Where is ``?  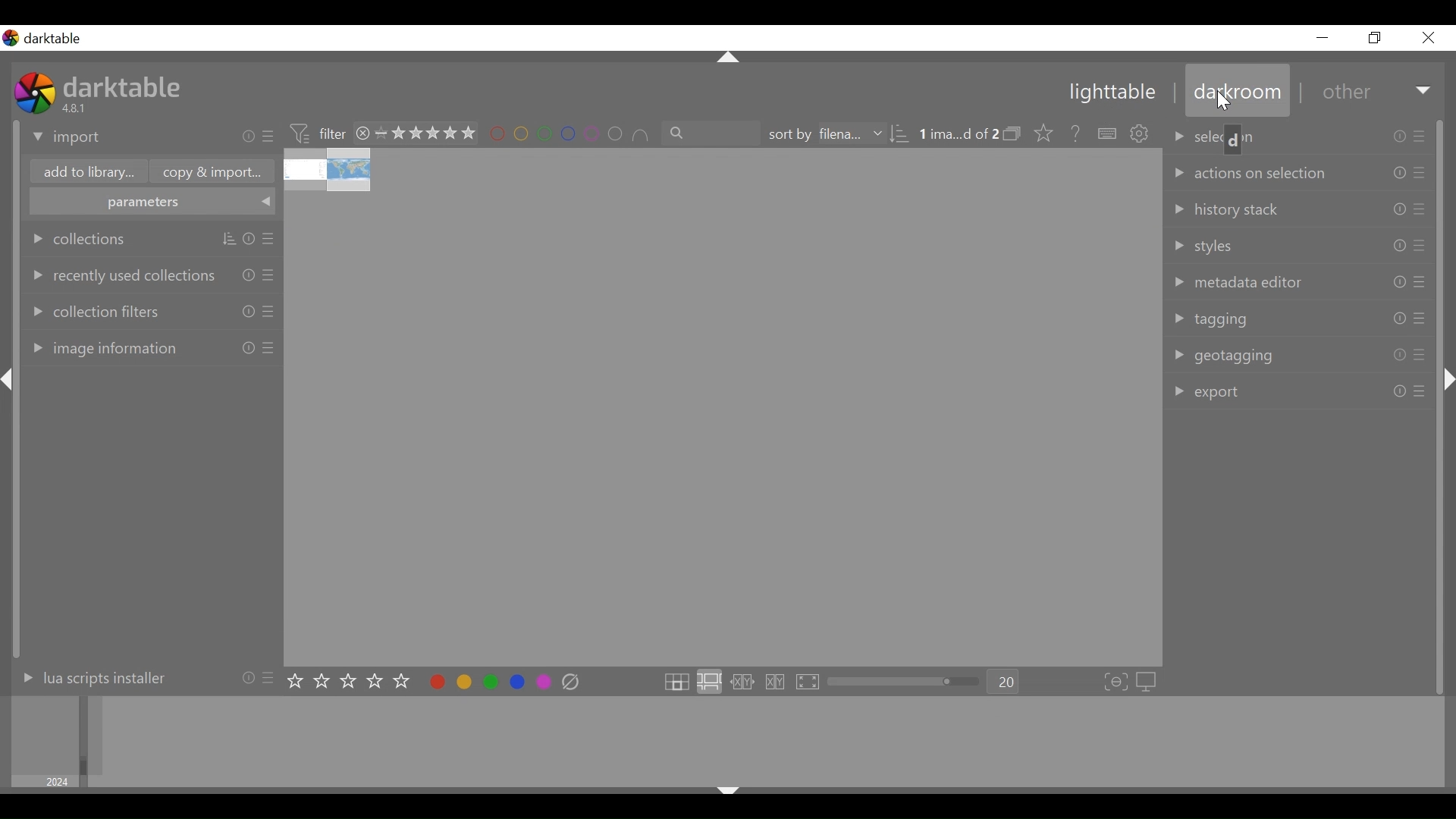
 is located at coordinates (271, 238).